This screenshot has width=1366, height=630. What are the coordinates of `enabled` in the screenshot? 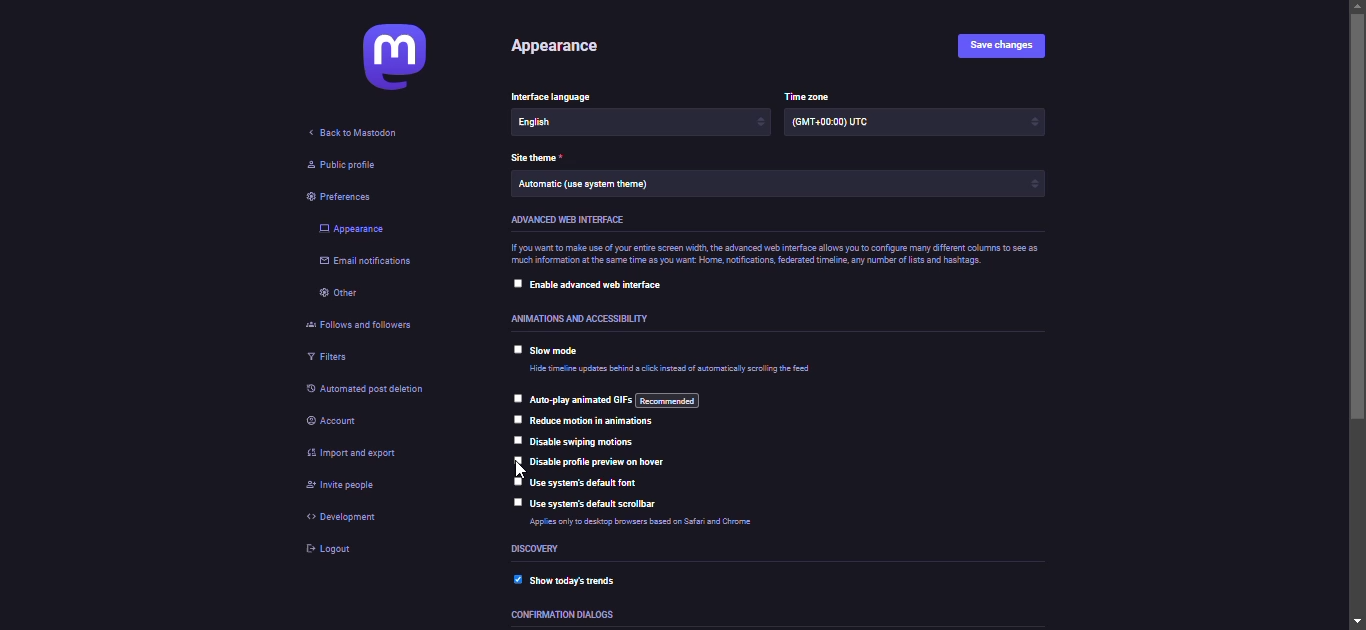 It's located at (516, 577).